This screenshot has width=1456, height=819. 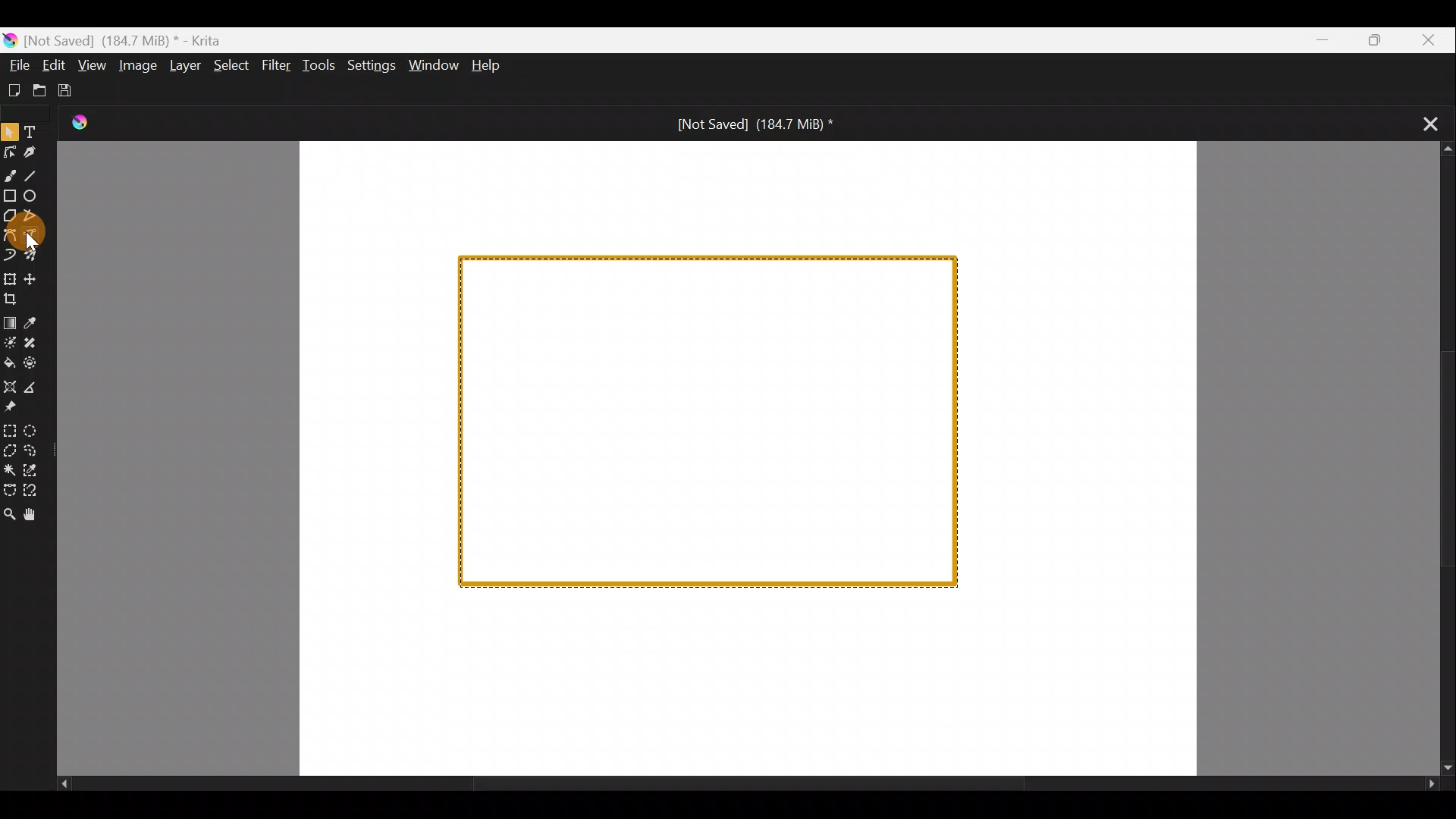 What do you see at coordinates (231, 66) in the screenshot?
I see `Select` at bounding box center [231, 66].